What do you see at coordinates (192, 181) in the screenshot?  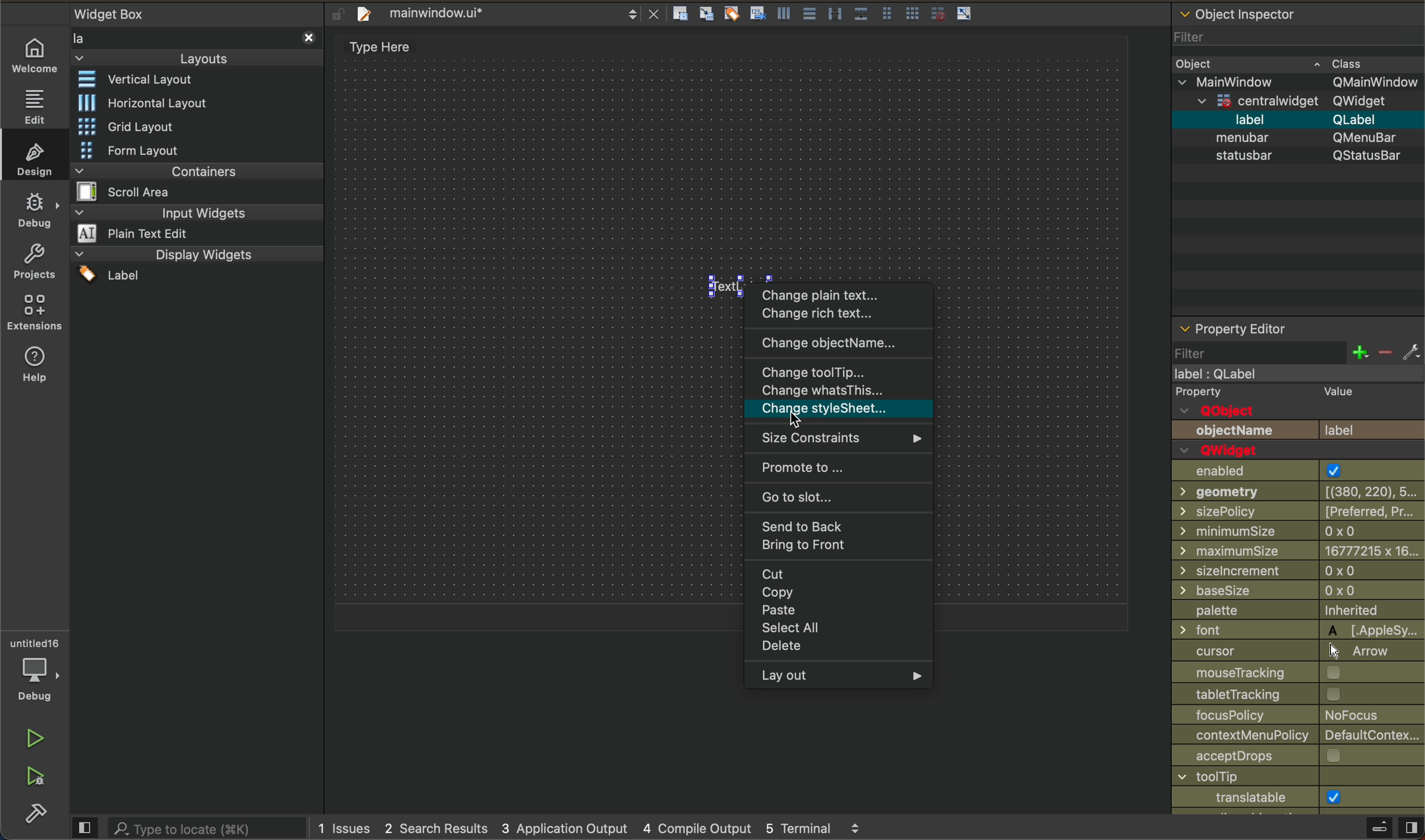 I see `containers` at bounding box center [192, 181].